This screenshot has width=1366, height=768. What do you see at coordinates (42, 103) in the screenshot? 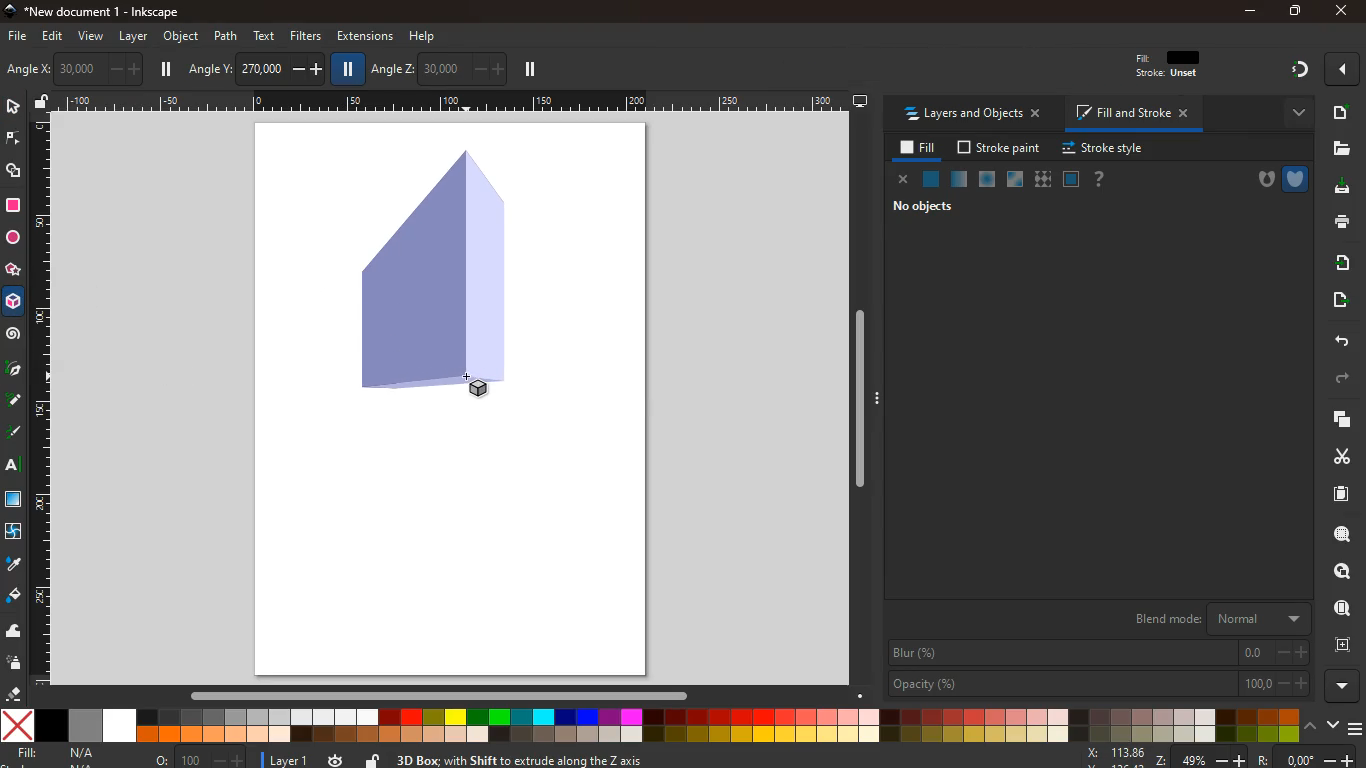
I see `unlock` at bounding box center [42, 103].